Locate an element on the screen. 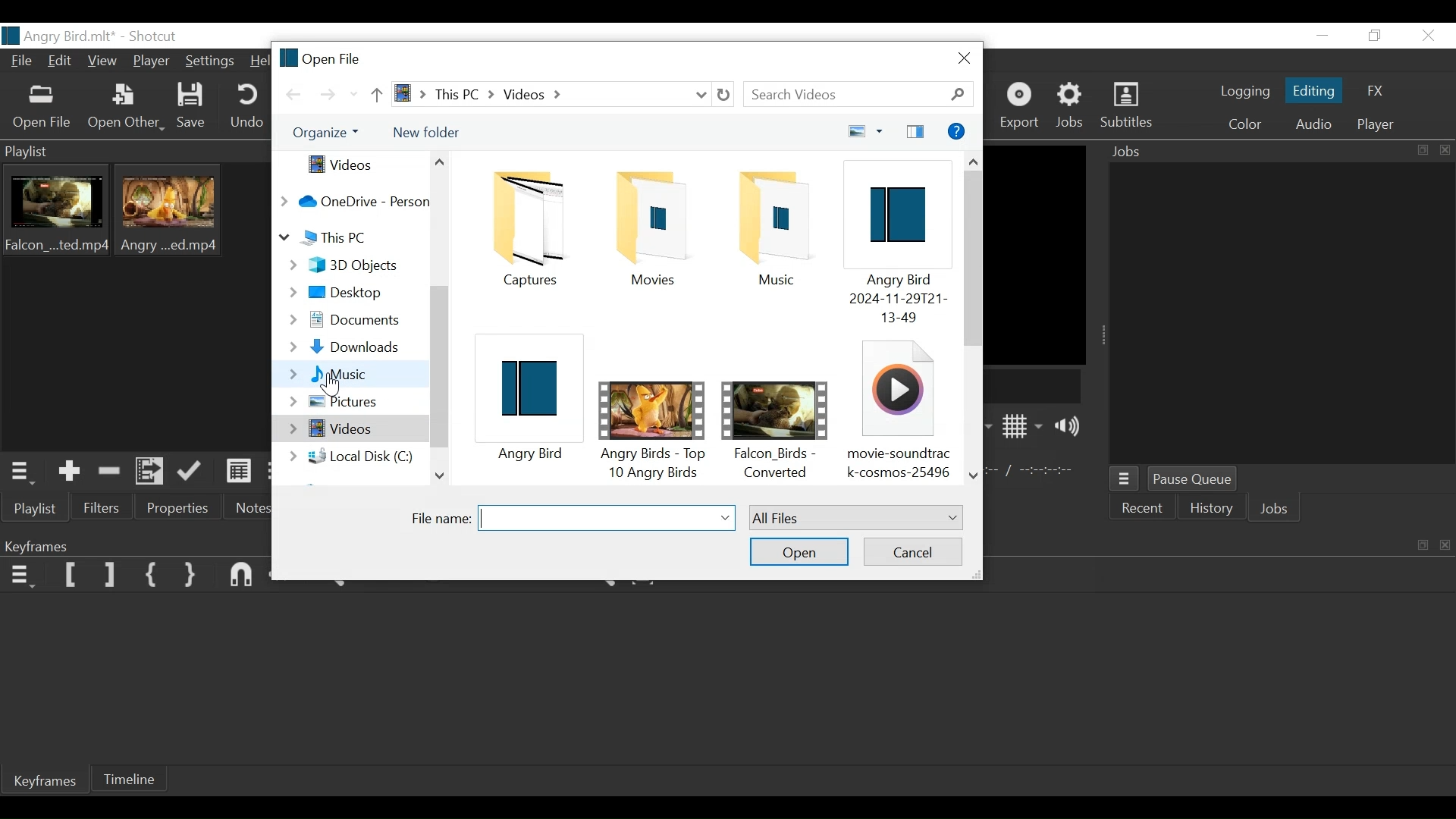  Add the source to the playlist is located at coordinates (72, 470).